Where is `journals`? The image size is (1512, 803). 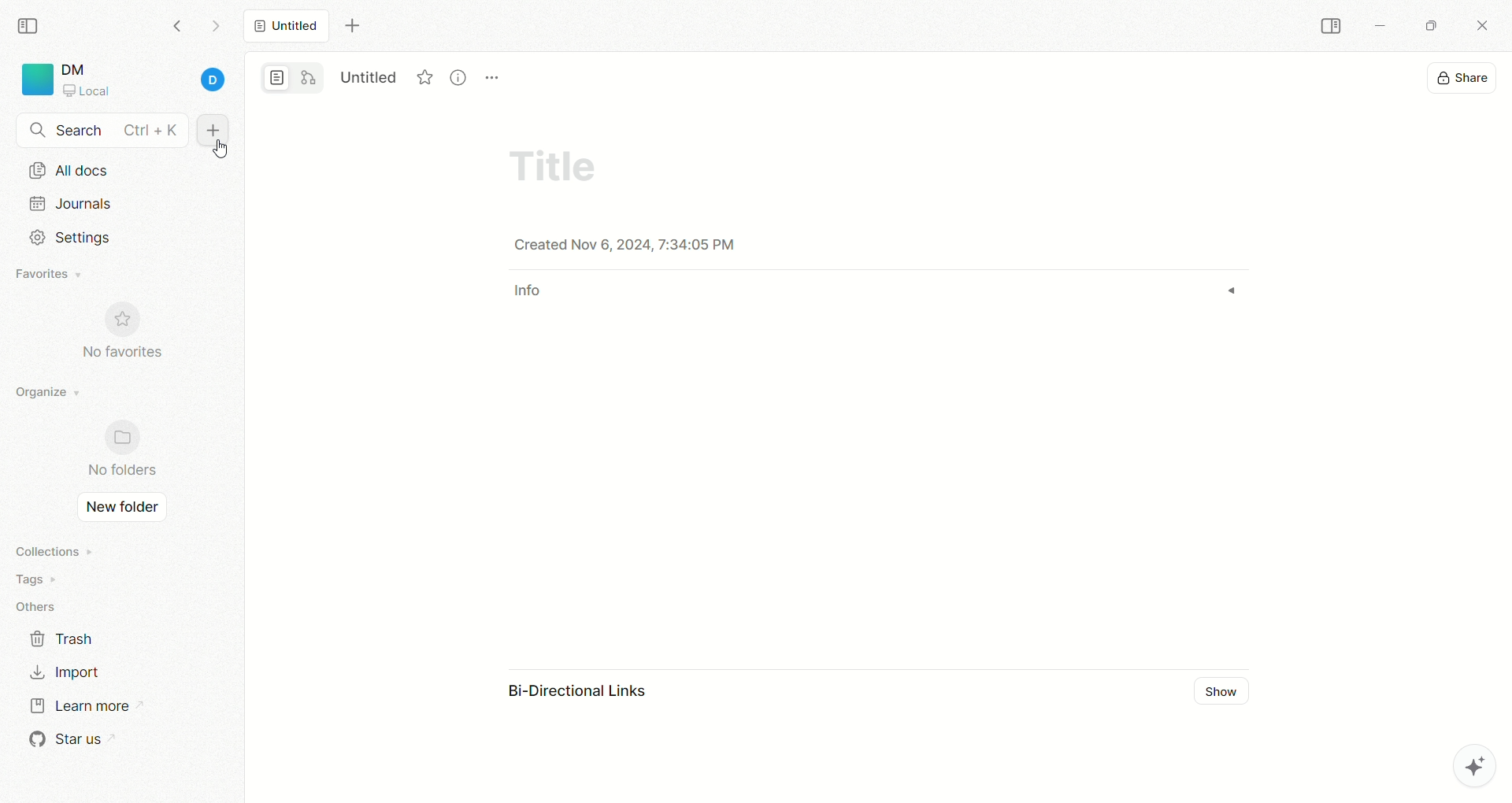
journals is located at coordinates (74, 203).